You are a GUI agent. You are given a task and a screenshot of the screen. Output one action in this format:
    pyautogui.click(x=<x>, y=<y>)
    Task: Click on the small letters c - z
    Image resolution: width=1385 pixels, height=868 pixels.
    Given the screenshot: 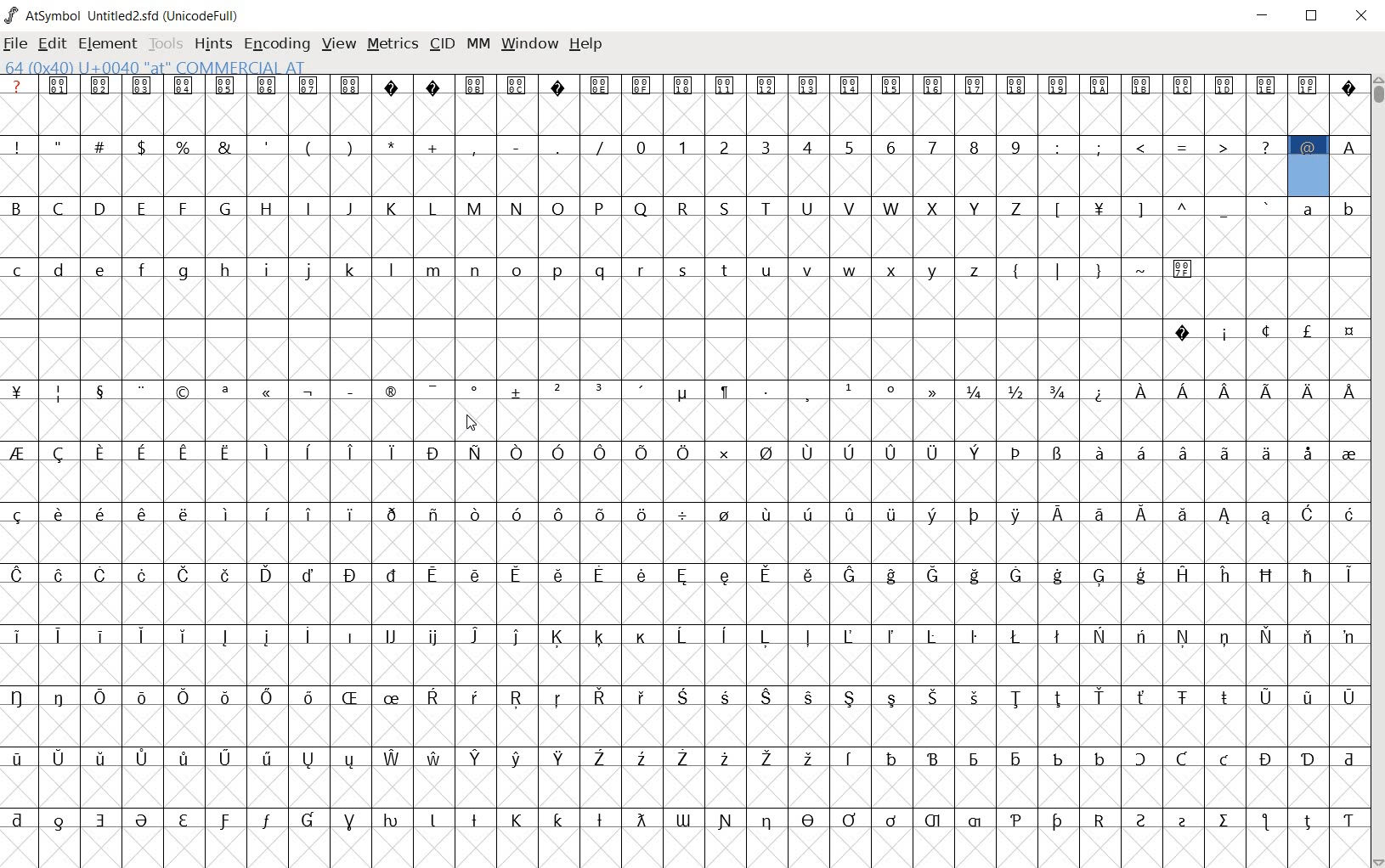 What is the action you would take?
    pyautogui.click(x=497, y=268)
    